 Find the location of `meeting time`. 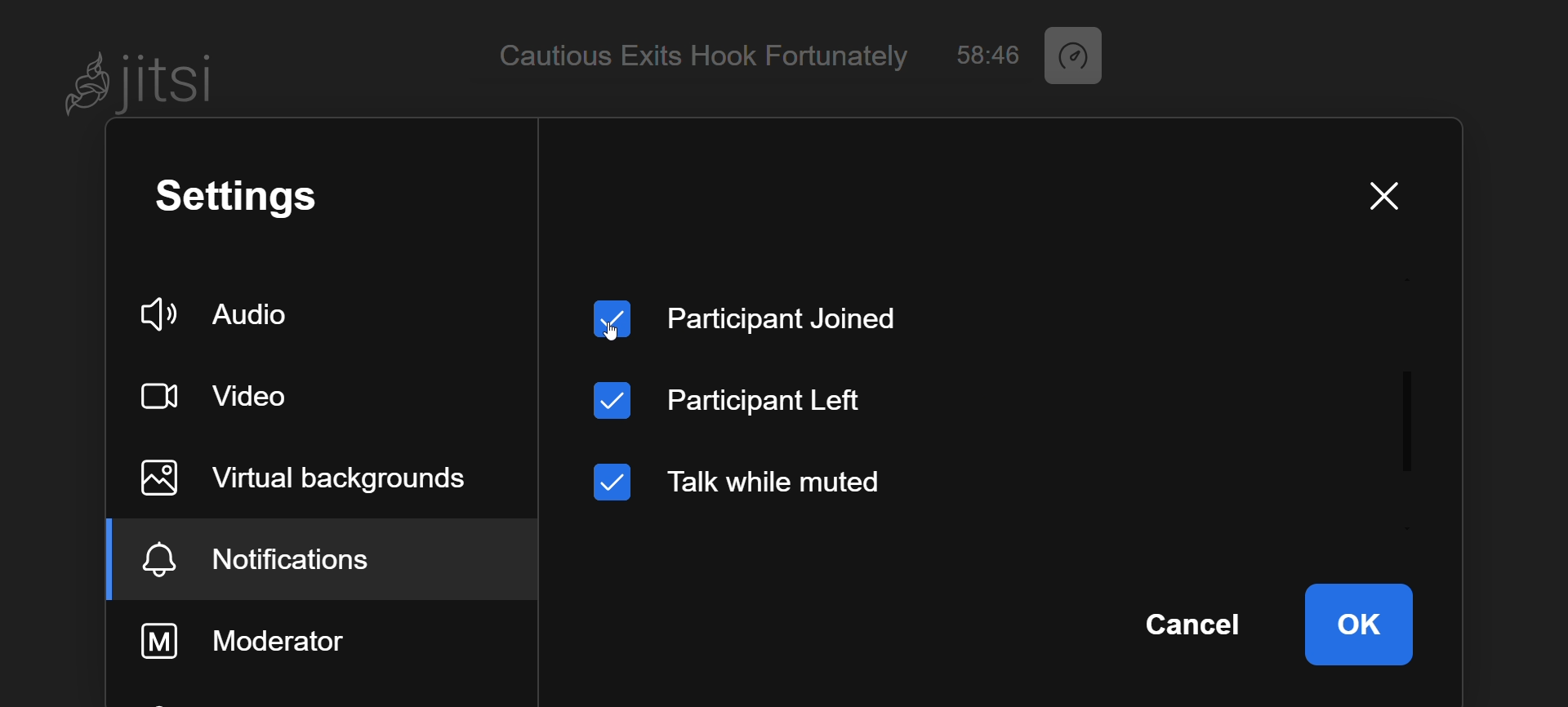

meeting time is located at coordinates (1080, 56).